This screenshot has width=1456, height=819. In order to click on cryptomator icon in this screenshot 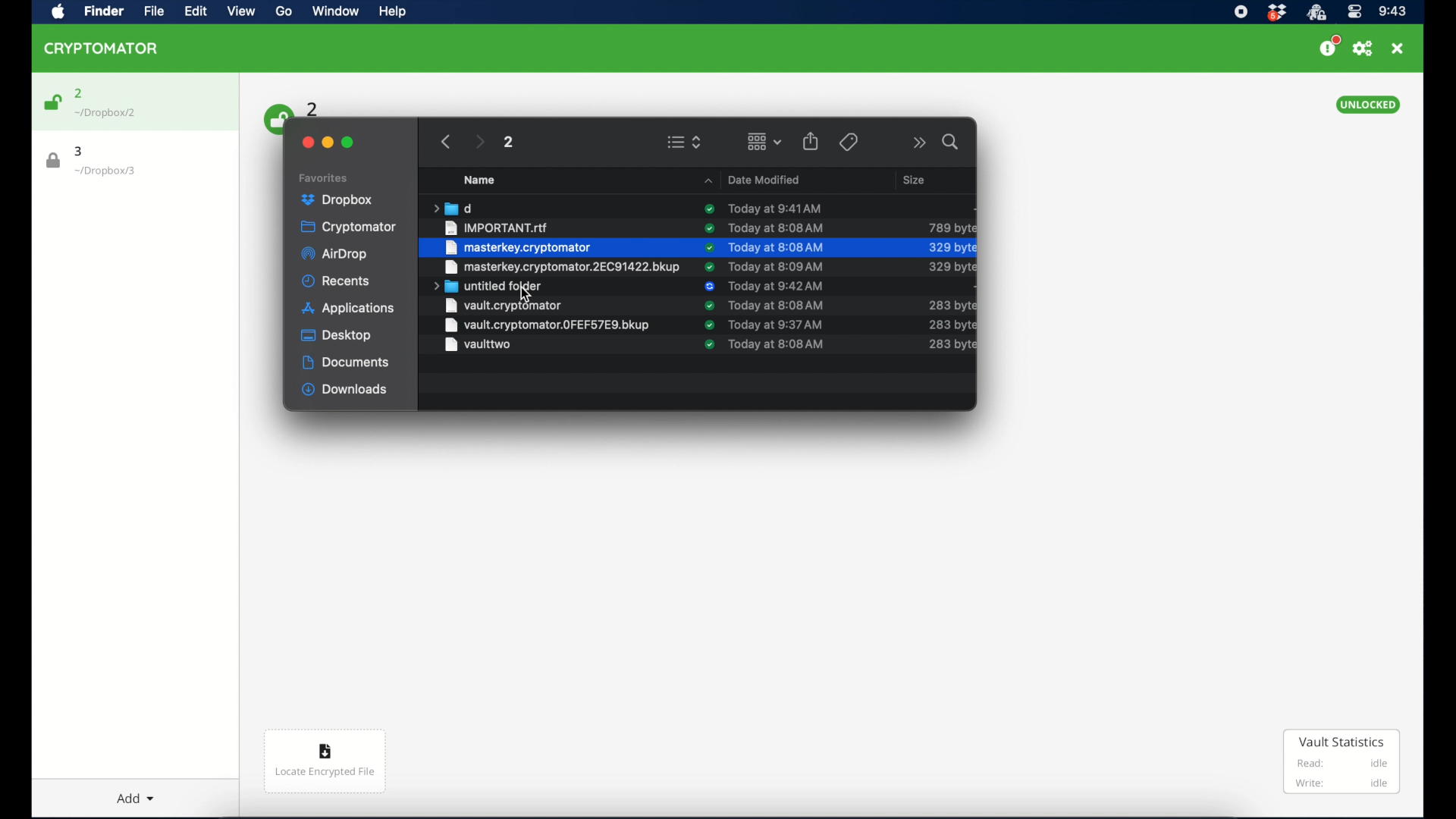, I will do `click(1316, 13)`.